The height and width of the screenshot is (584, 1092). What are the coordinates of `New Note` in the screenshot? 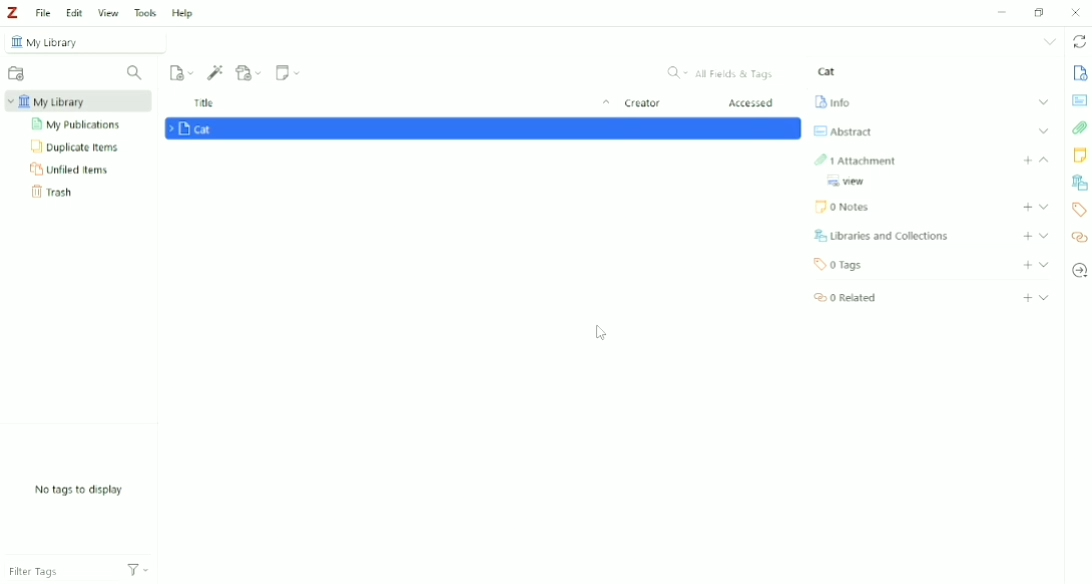 It's located at (289, 72).